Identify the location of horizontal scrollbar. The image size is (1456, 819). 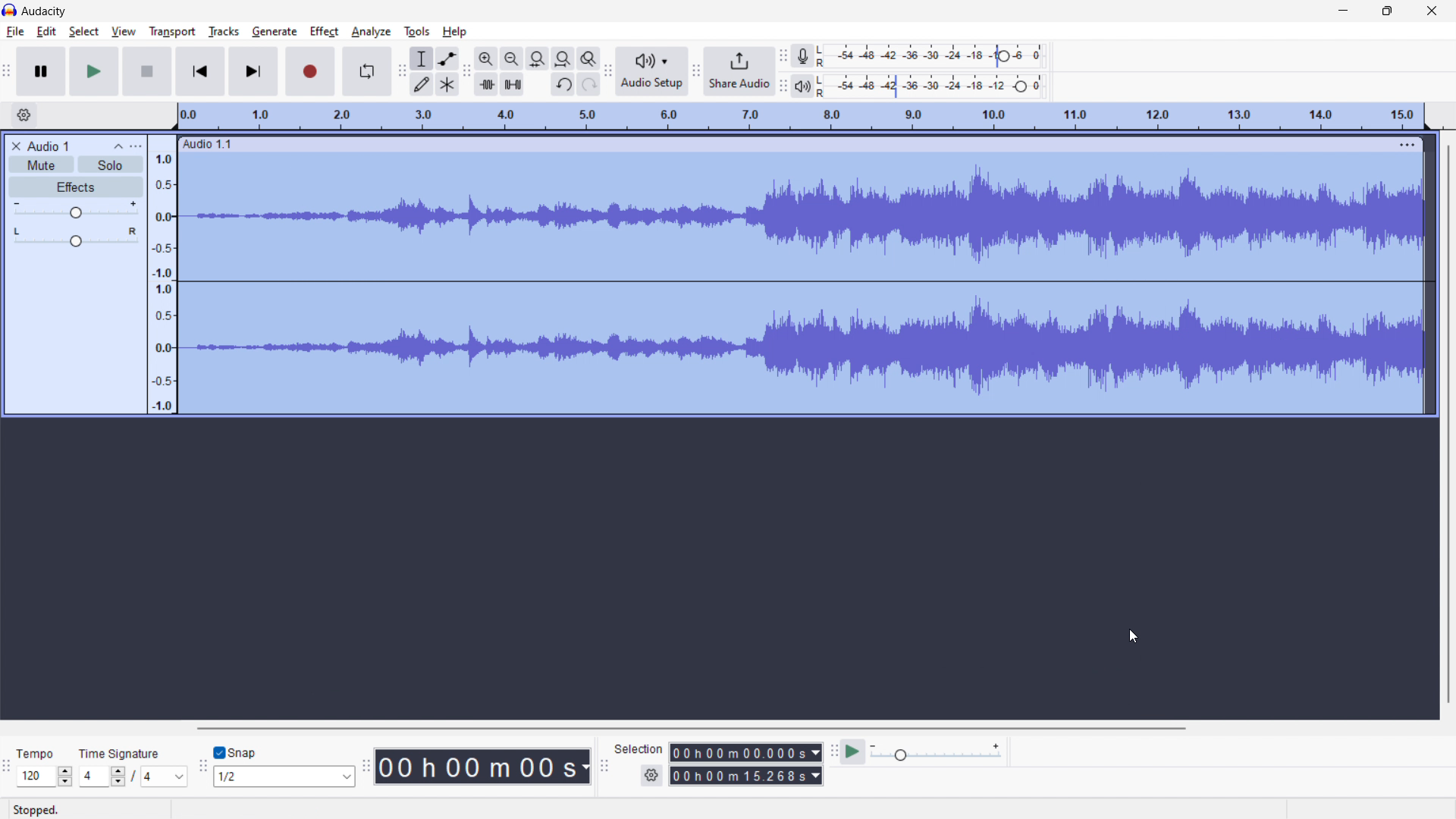
(689, 728).